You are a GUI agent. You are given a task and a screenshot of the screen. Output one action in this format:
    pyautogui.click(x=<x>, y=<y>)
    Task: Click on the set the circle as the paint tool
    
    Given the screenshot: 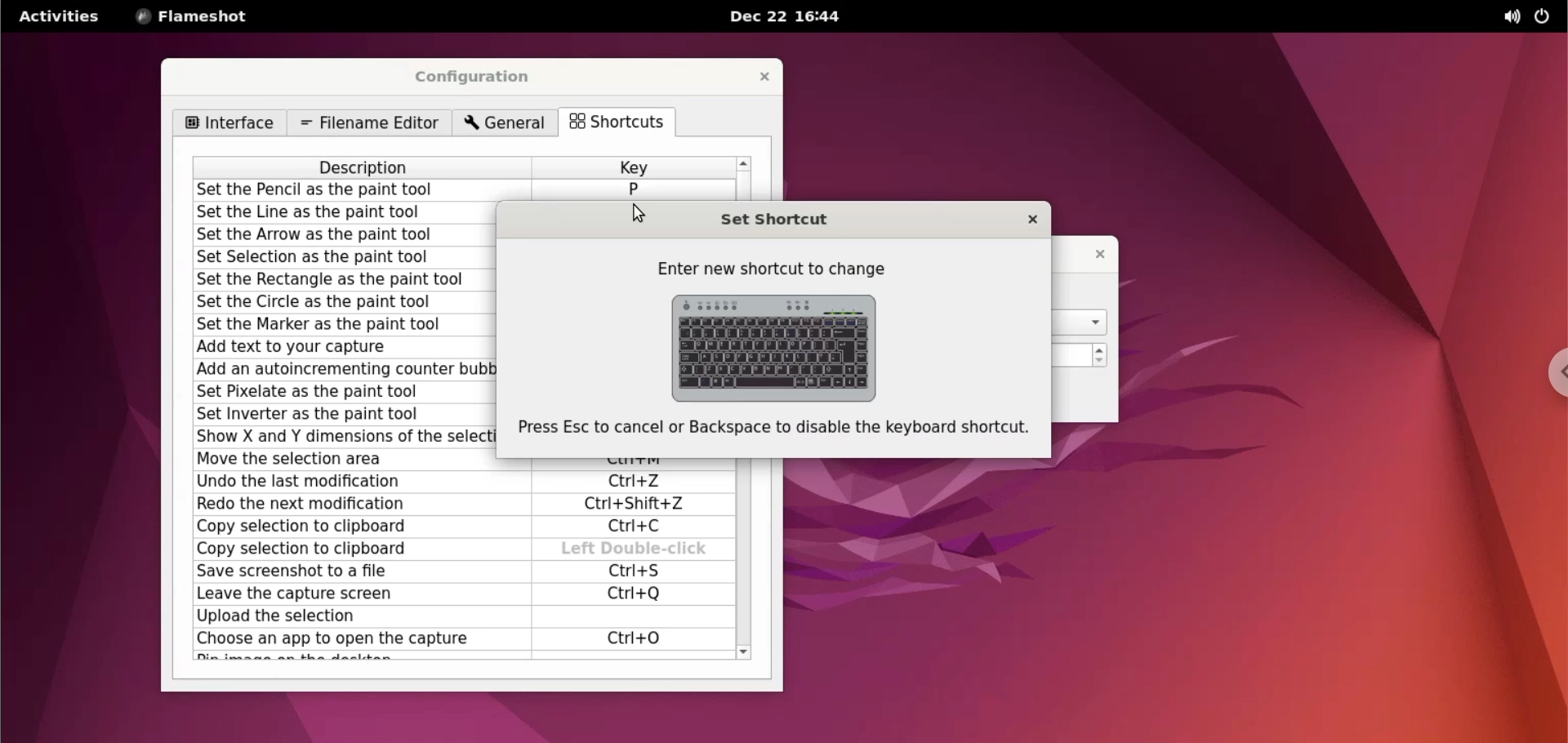 What is the action you would take?
    pyautogui.click(x=345, y=301)
    